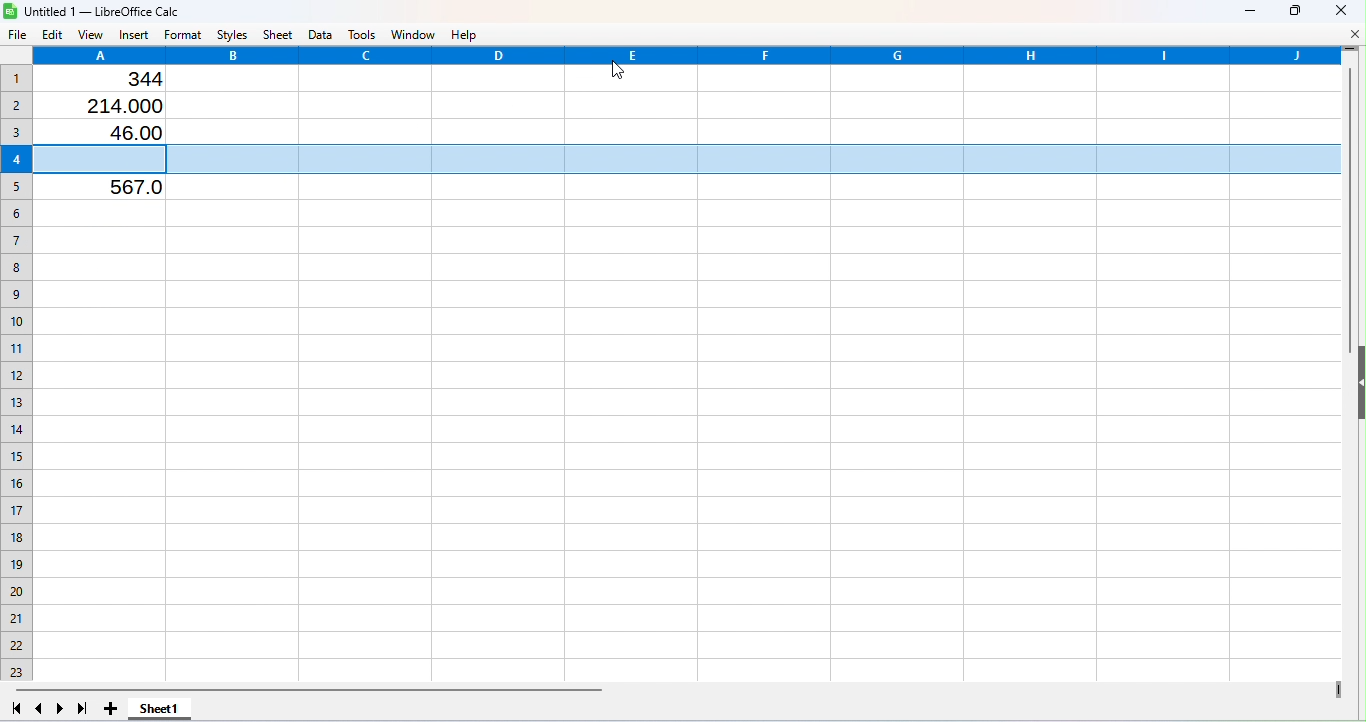  I want to click on Edit, so click(51, 34).